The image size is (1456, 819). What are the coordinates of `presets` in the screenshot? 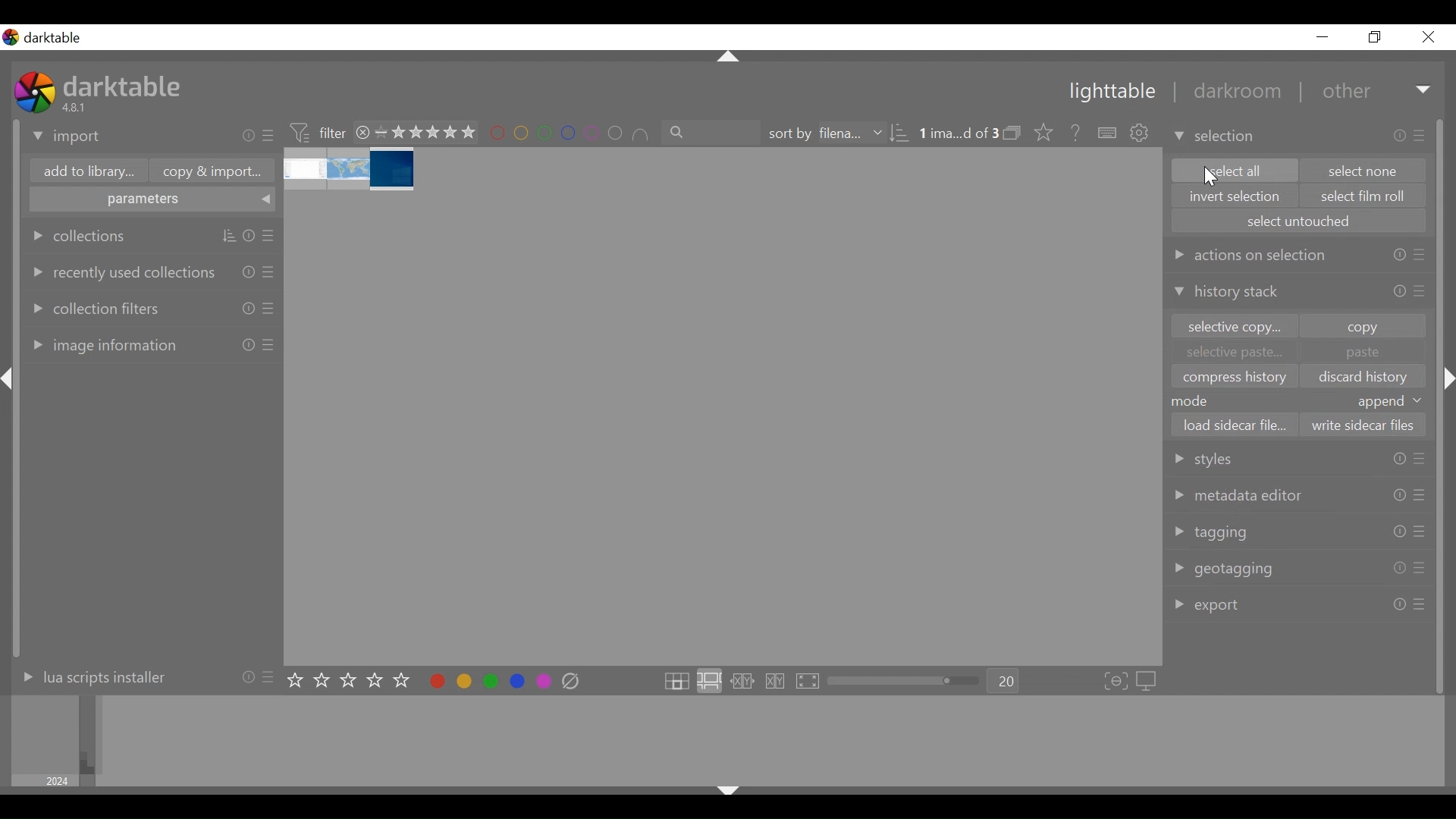 It's located at (1420, 497).